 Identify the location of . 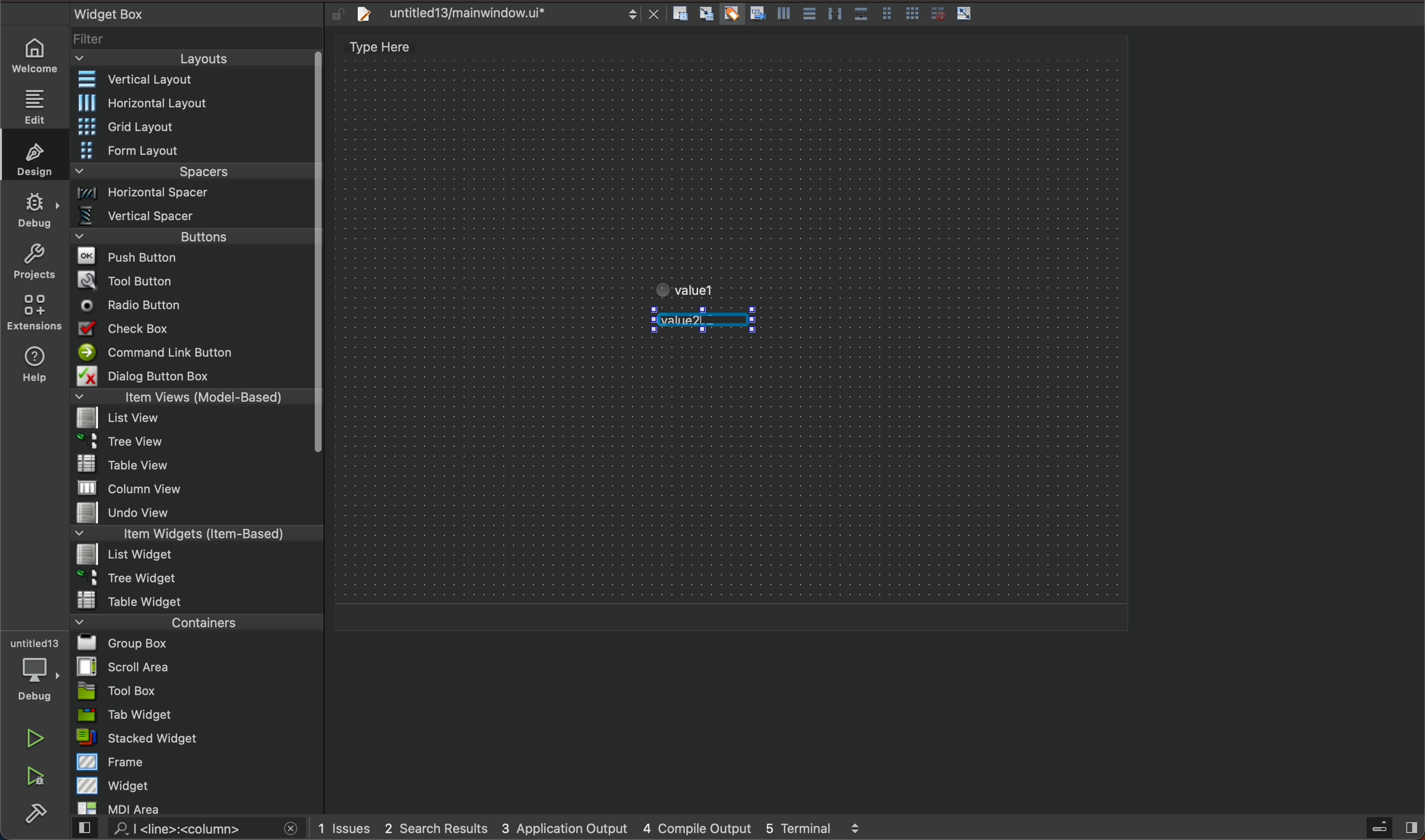
(835, 15).